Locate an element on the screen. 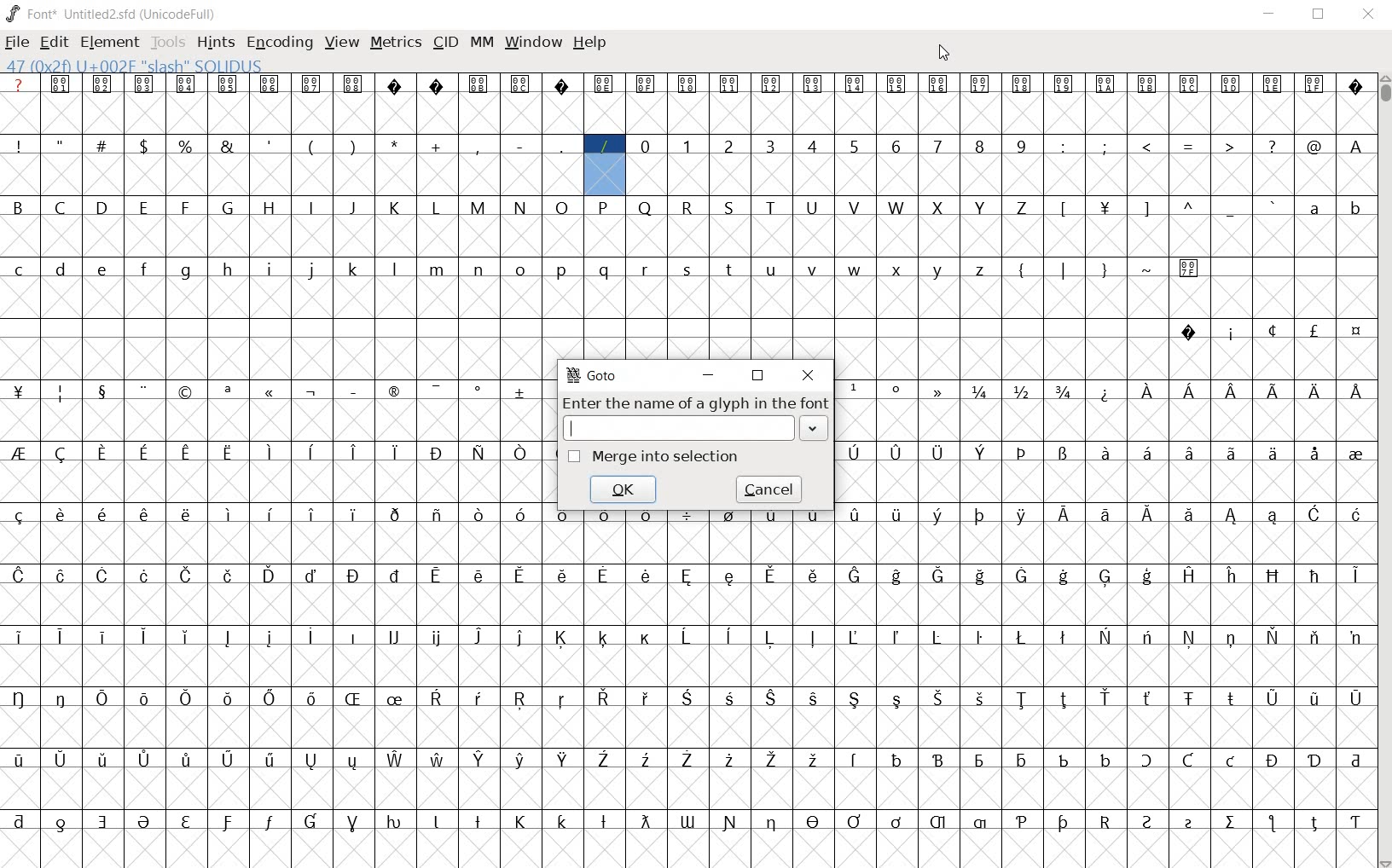  glyph is located at coordinates (1020, 208).